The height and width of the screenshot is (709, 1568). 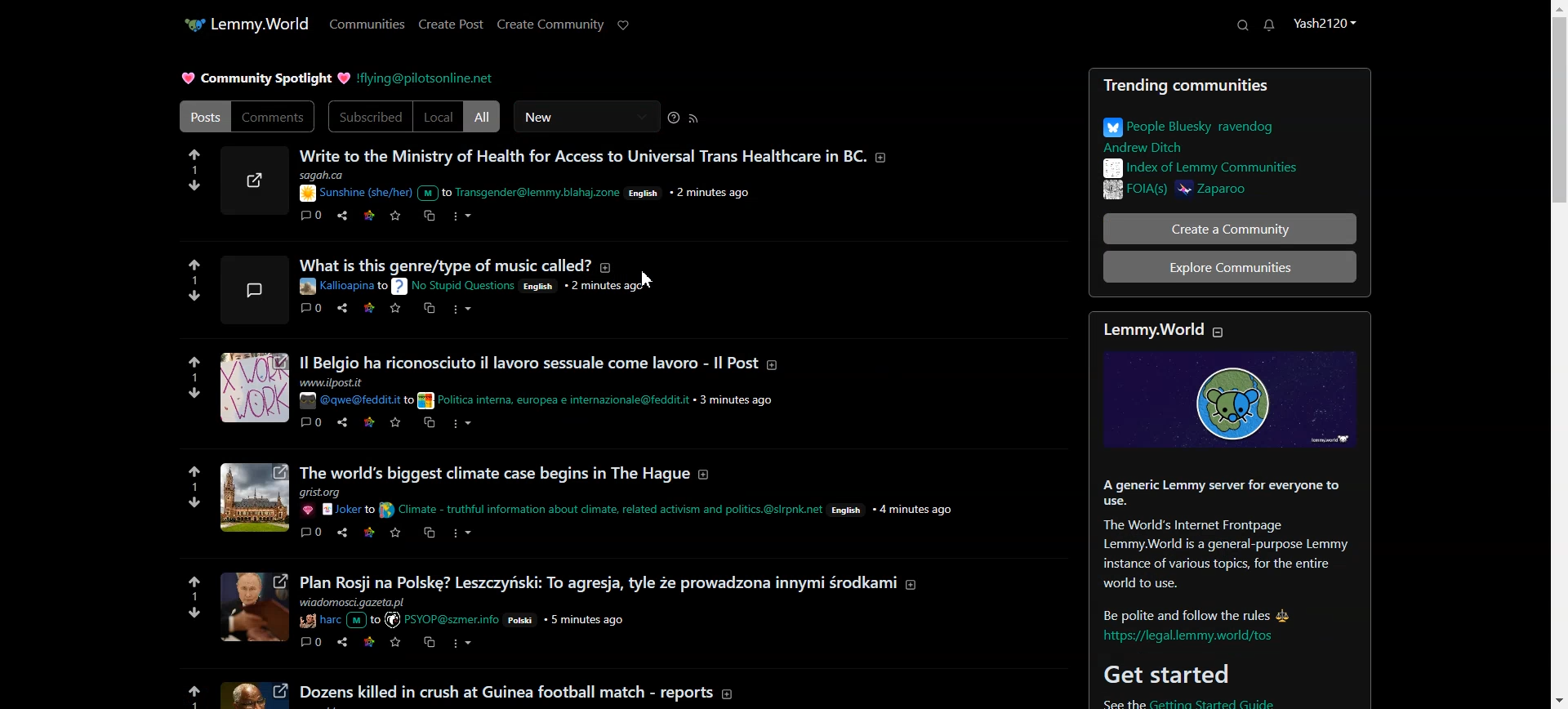 What do you see at coordinates (345, 648) in the screenshot?
I see `share` at bounding box center [345, 648].